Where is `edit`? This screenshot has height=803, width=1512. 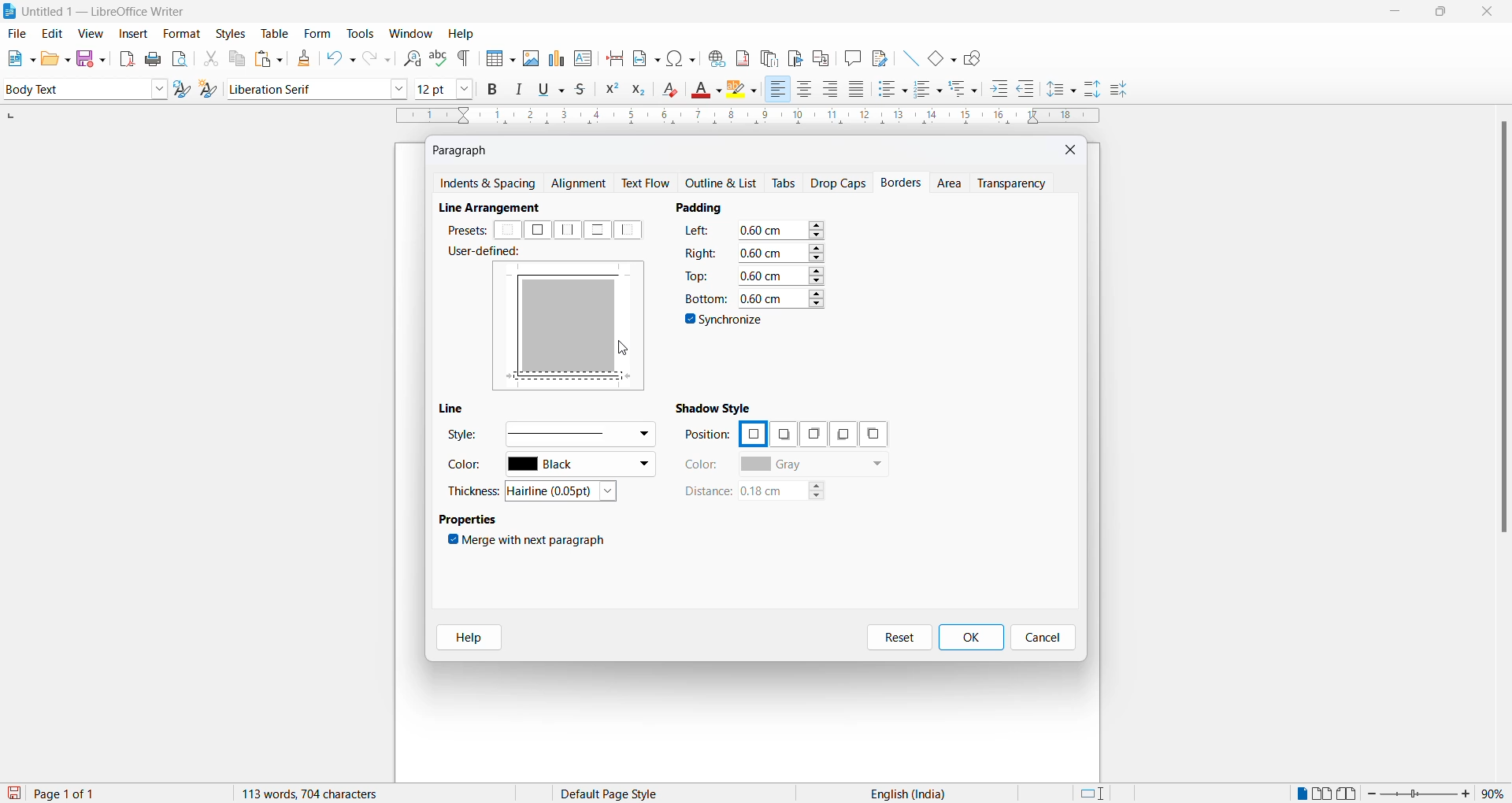 edit is located at coordinates (54, 34).